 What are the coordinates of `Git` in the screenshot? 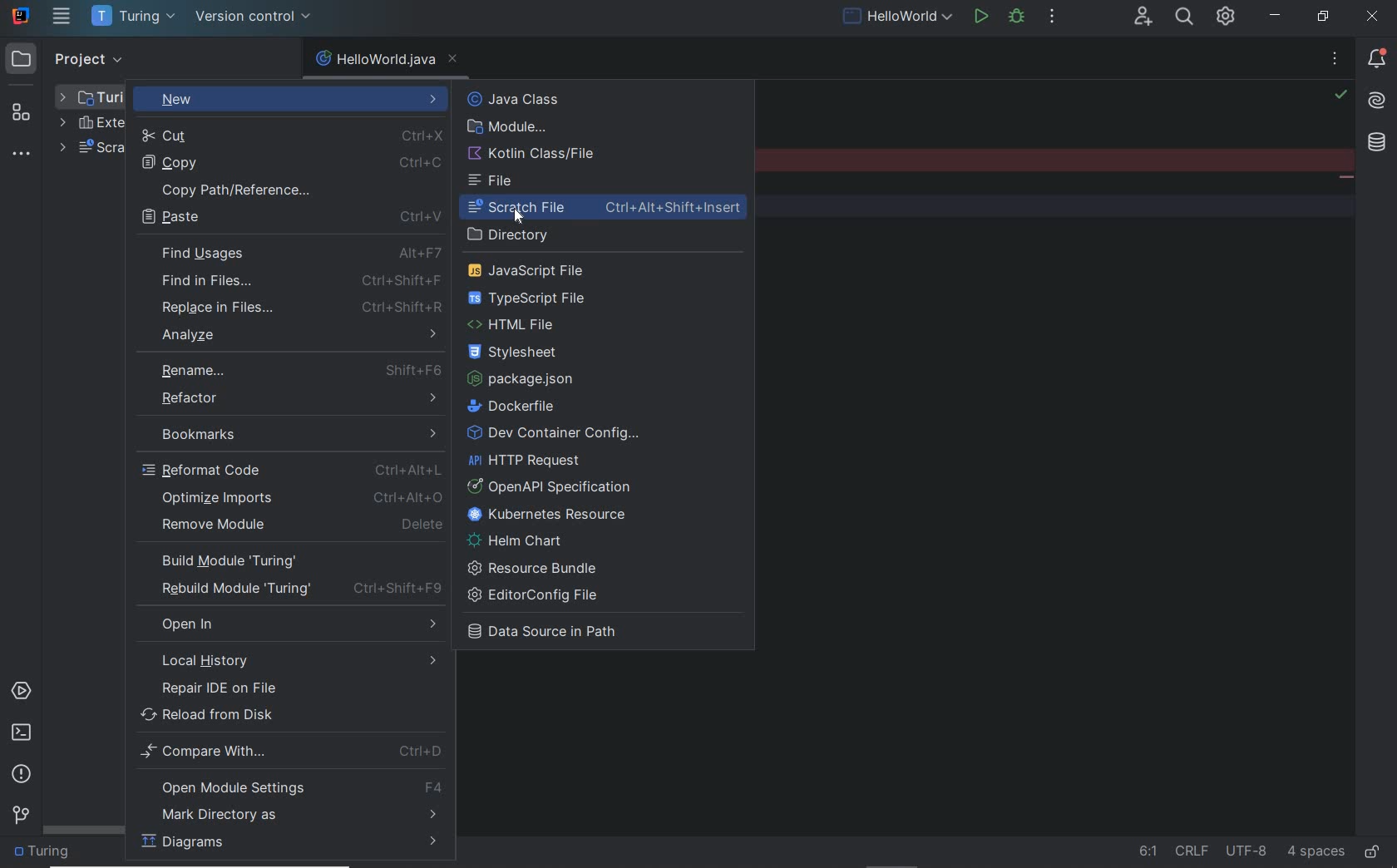 It's located at (21, 813).